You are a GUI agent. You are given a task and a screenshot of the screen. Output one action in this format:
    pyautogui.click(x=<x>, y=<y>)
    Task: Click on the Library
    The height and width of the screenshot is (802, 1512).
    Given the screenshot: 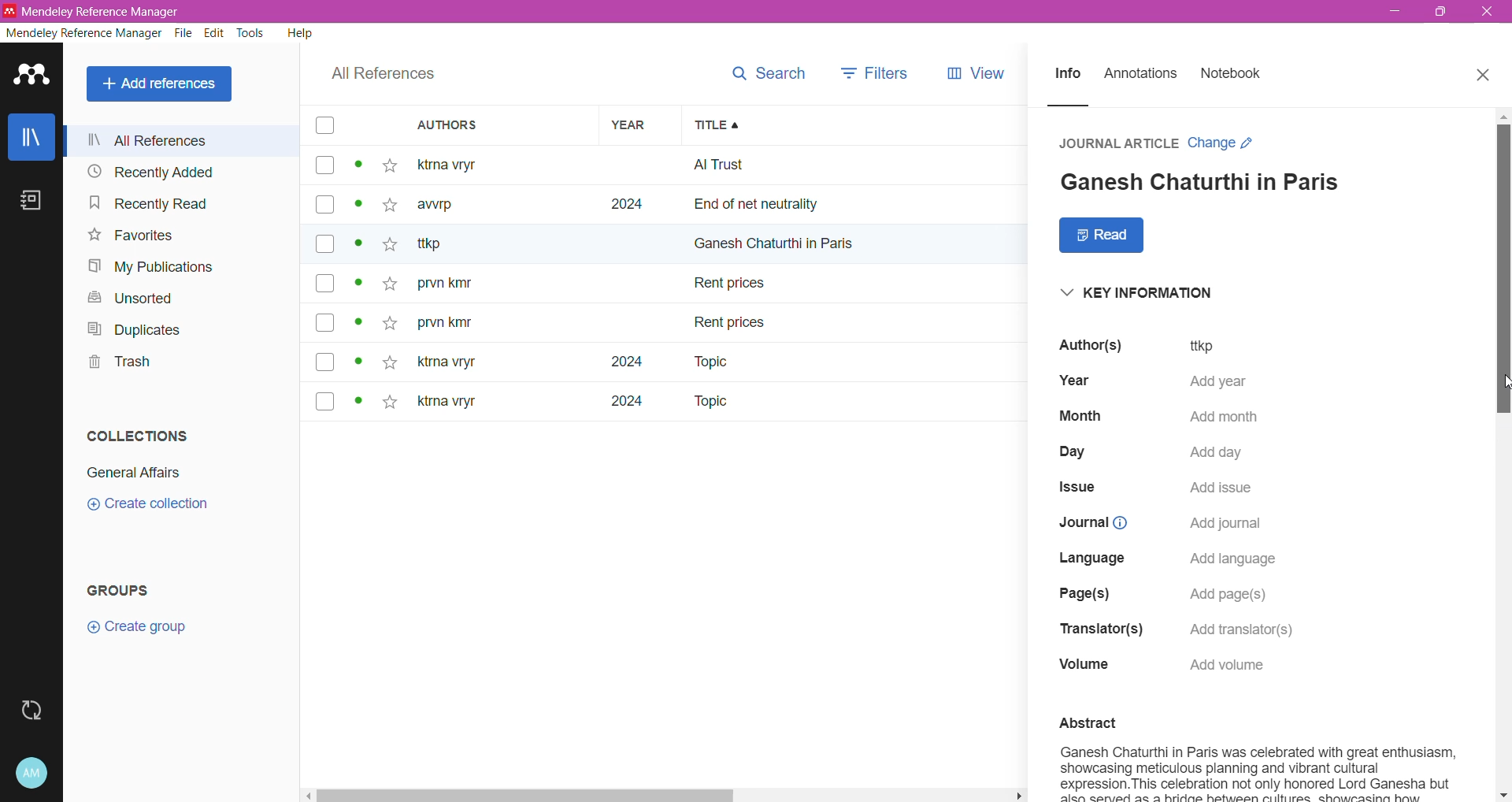 What is the action you would take?
    pyautogui.click(x=31, y=136)
    